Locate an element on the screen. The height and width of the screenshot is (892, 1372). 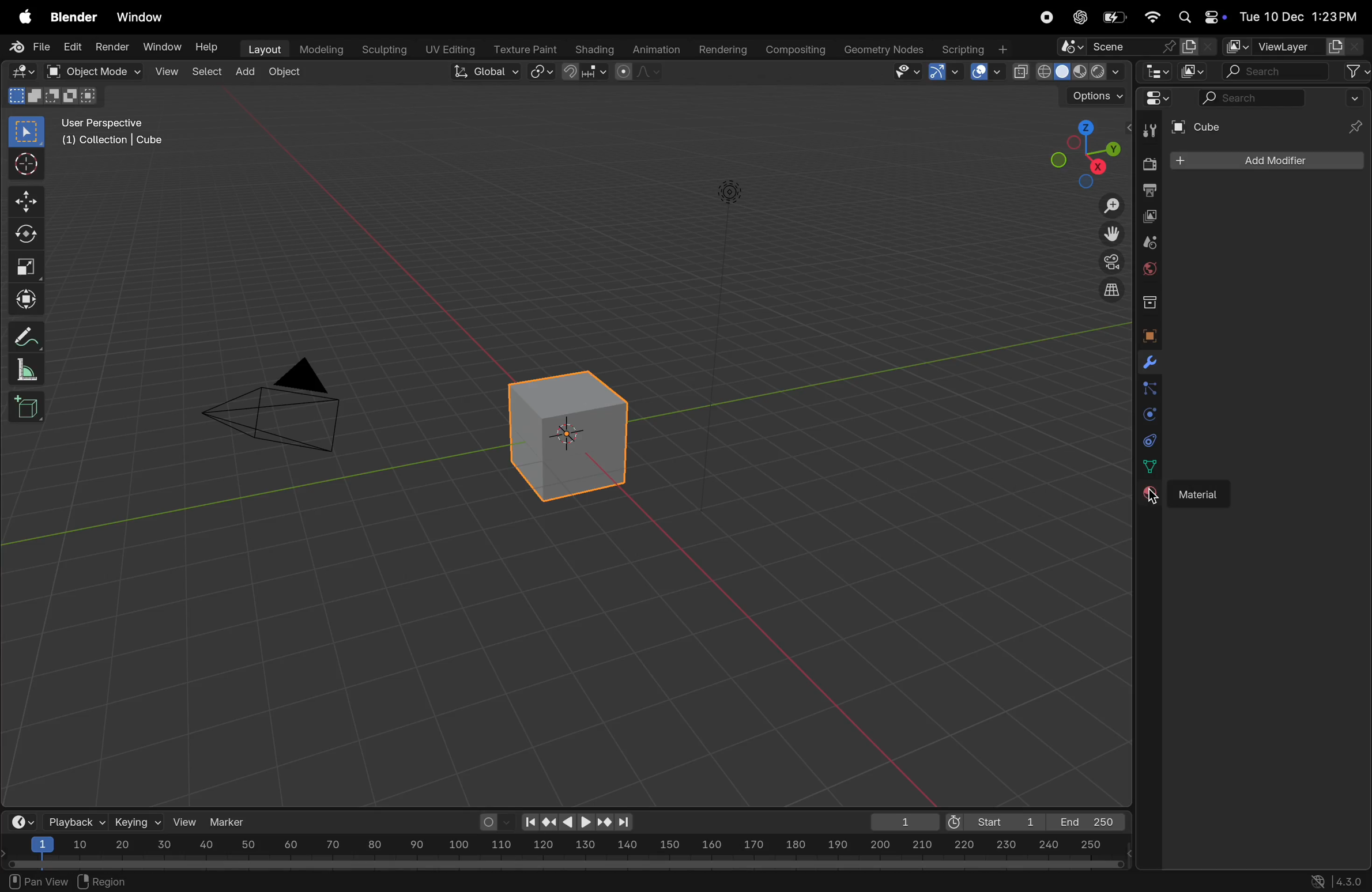
window is located at coordinates (144, 18).